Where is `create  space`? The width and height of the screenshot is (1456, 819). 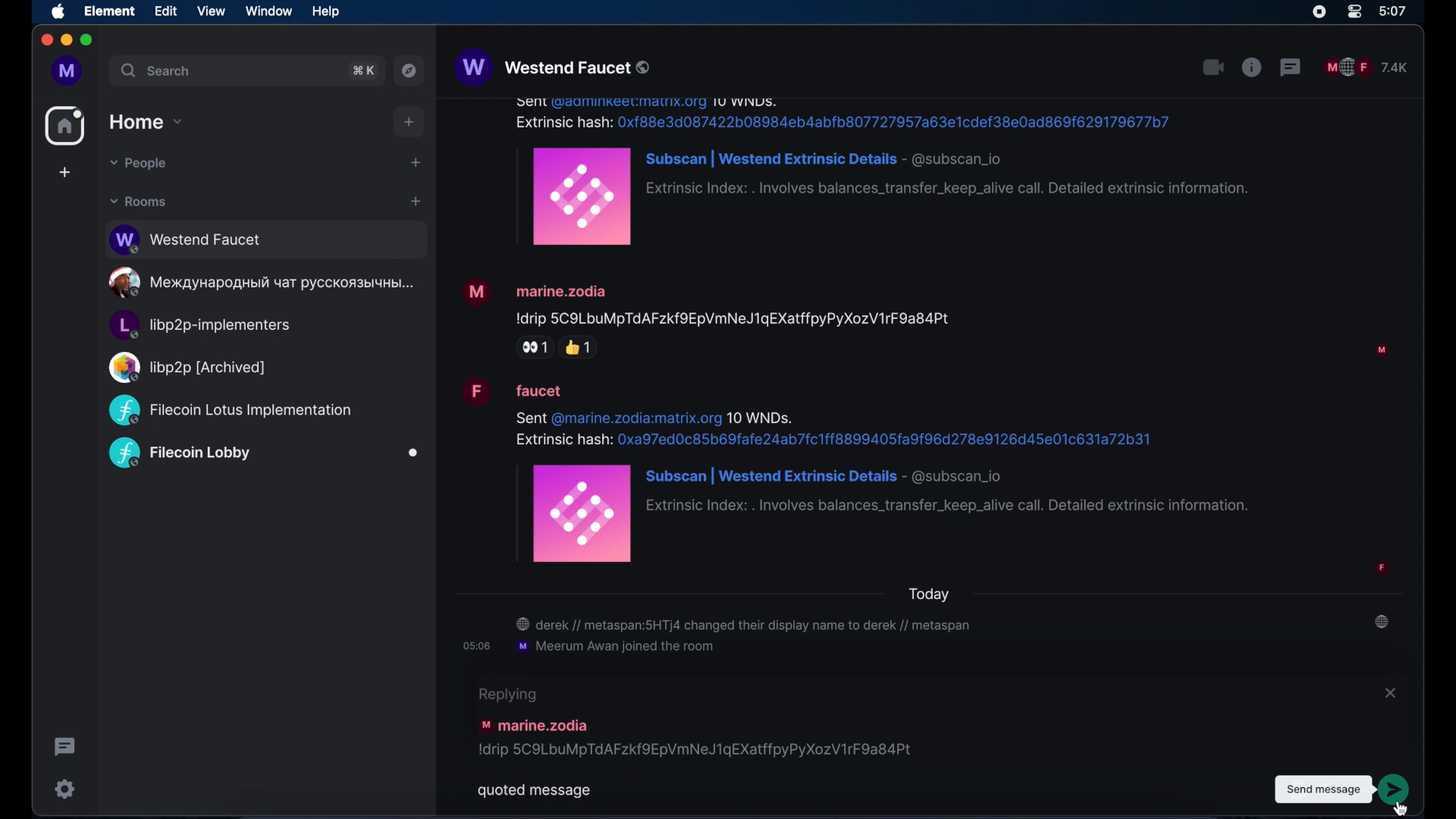 create  space is located at coordinates (66, 173).